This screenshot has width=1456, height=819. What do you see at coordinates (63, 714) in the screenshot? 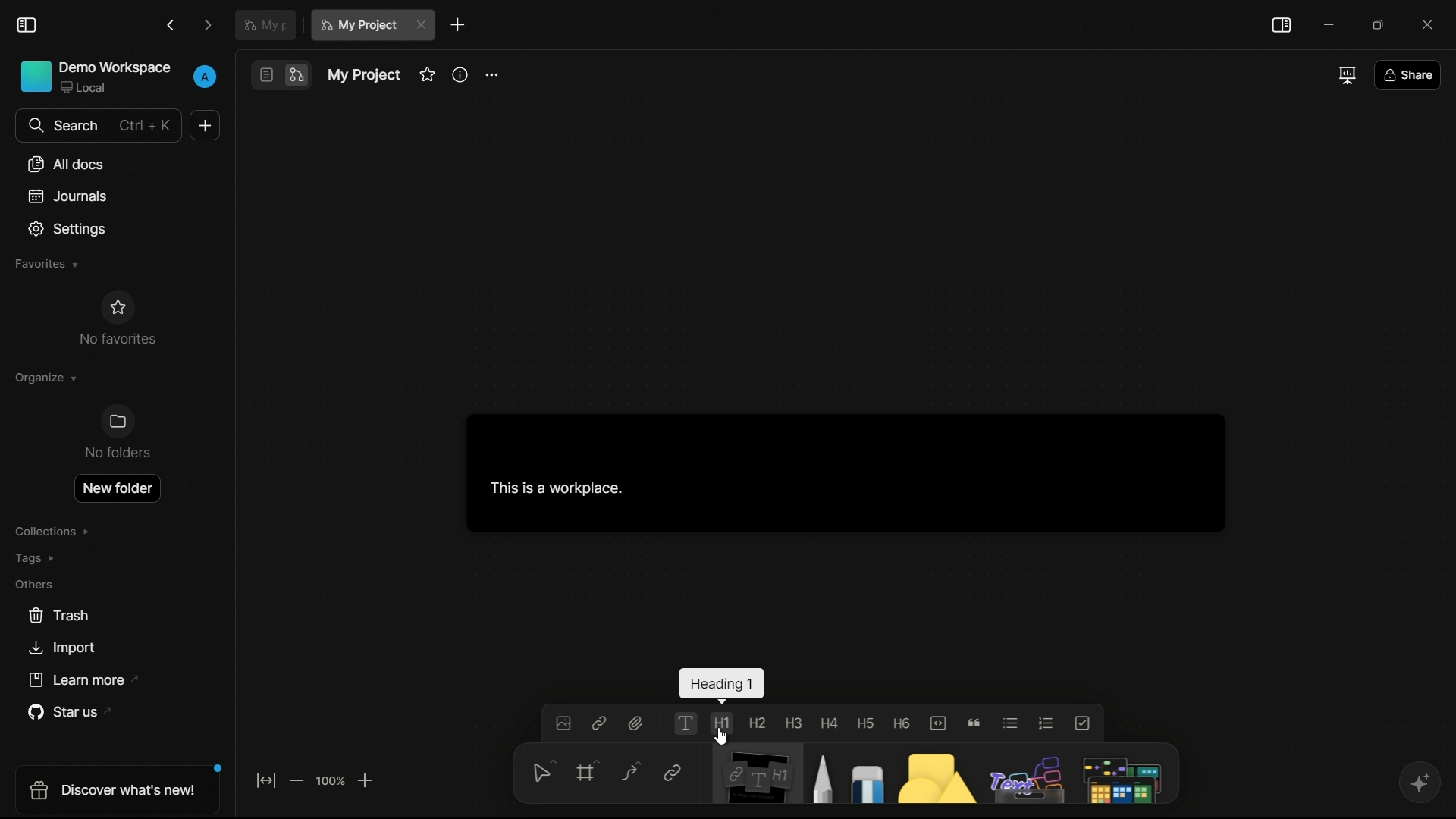
I see `star us` at bounding box center [63, 714].